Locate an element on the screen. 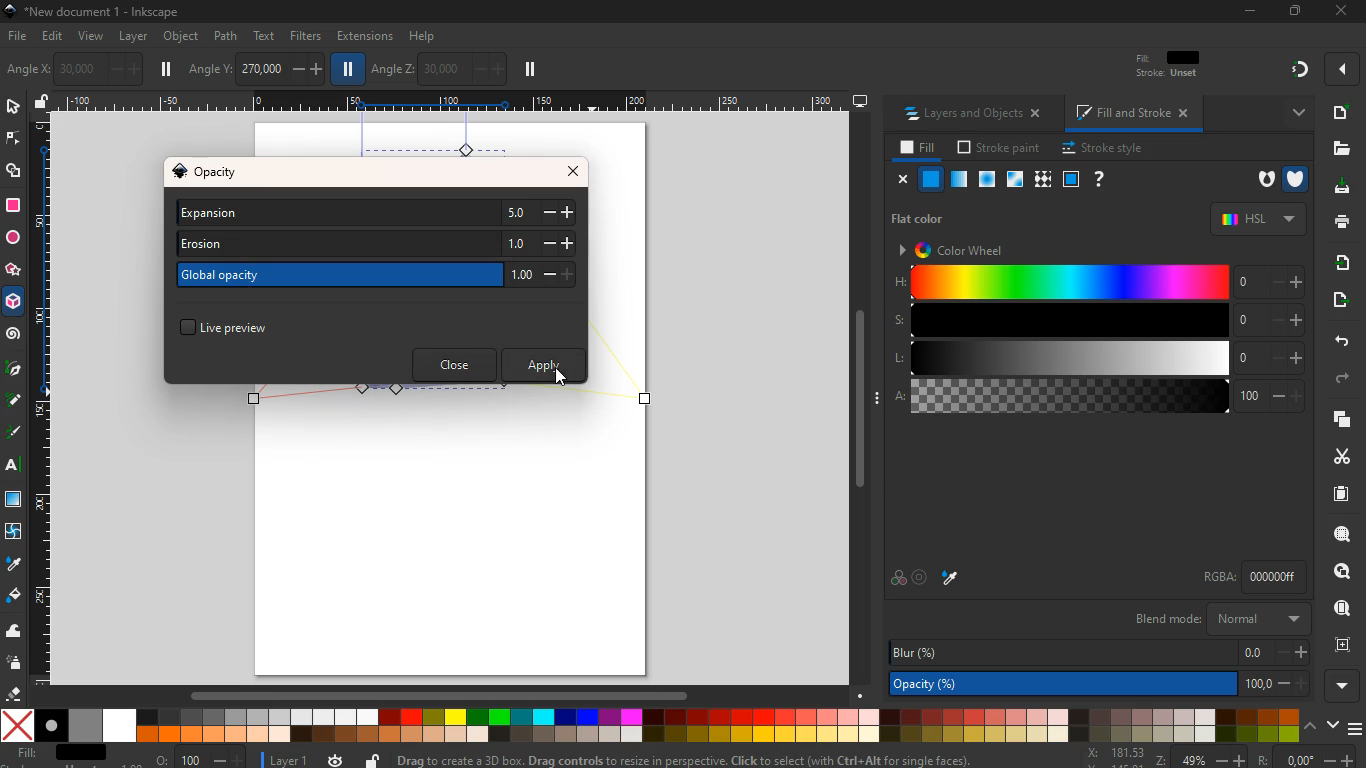  filt is located at coordinates (1169, 69).